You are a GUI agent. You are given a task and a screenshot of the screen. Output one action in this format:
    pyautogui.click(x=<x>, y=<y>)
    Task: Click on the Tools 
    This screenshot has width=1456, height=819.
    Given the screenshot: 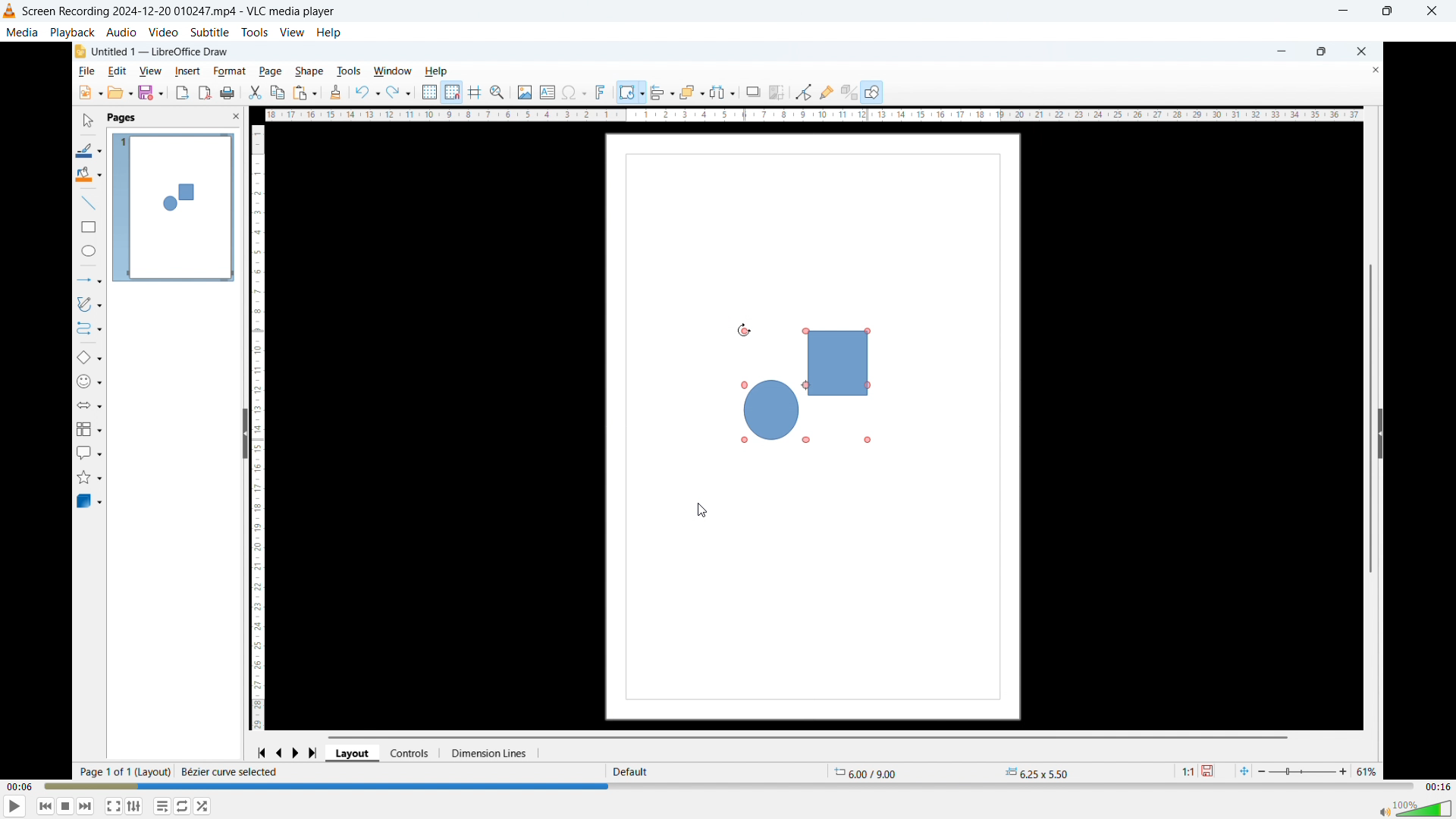 What is the action you would take?
    pyautogui.click(x=255, y=32)
    